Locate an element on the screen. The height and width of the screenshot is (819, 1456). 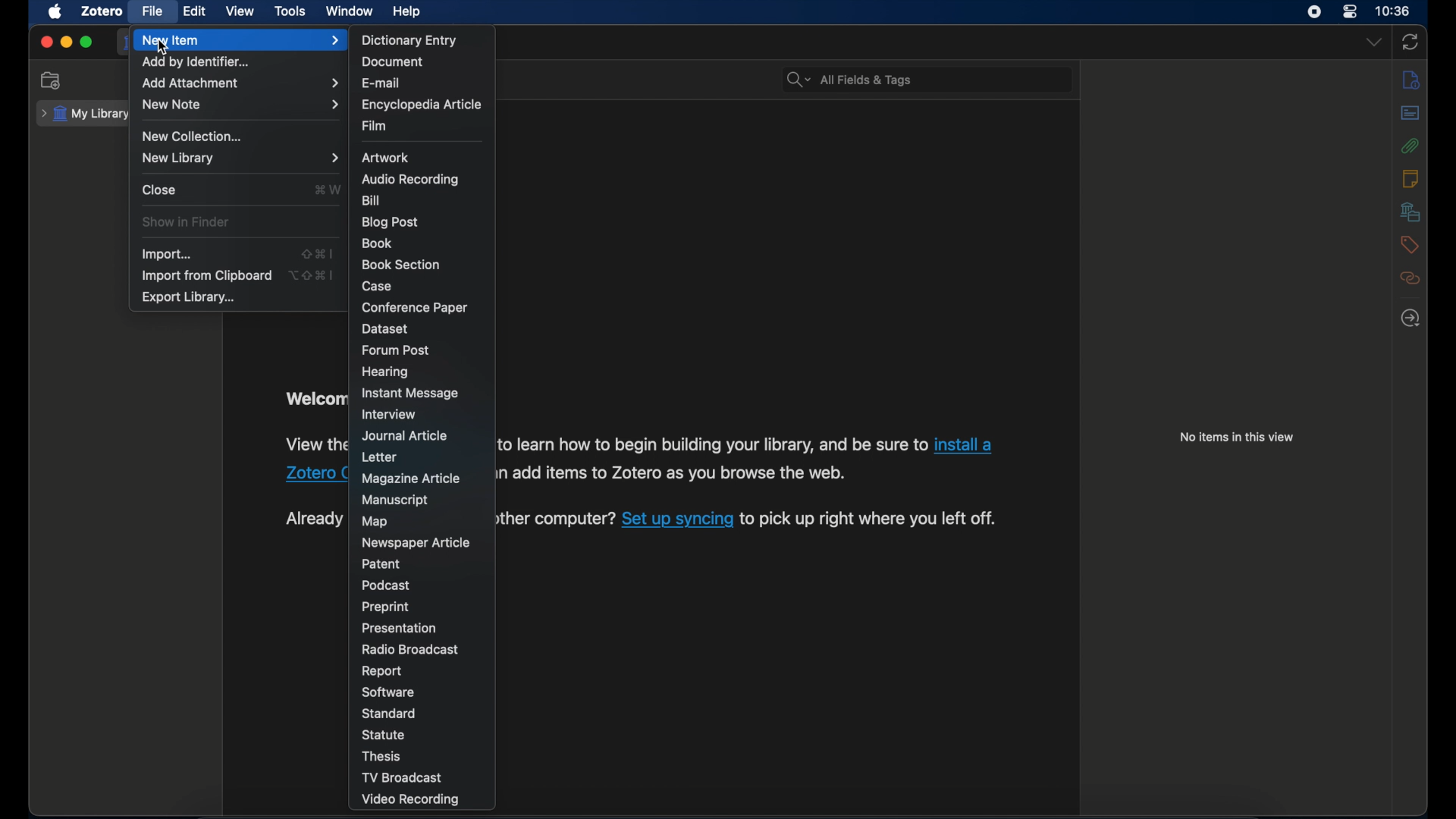
new collection is located at coordinates (51, 80).